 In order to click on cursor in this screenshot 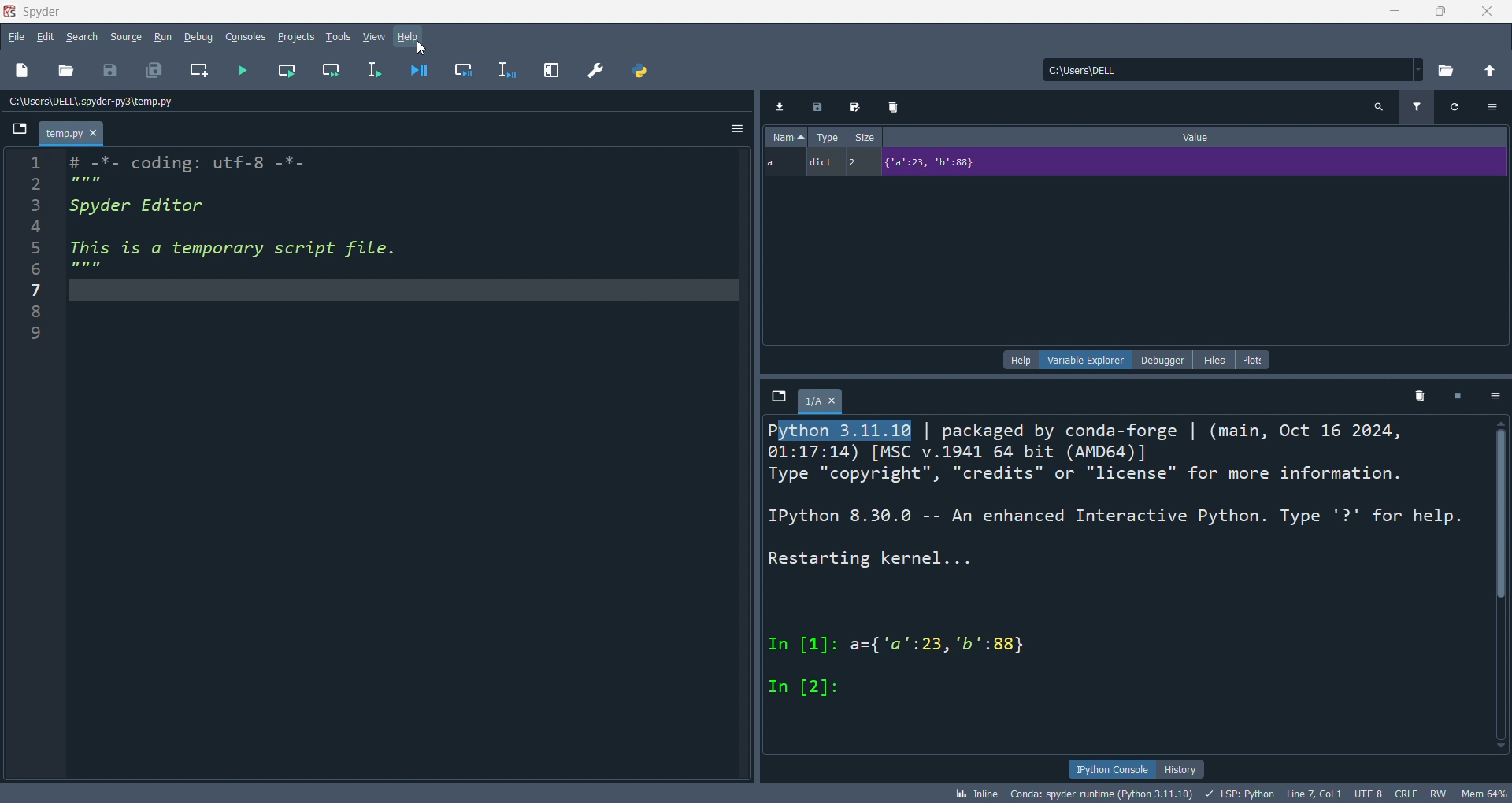, I will do `click(423, 47)`.